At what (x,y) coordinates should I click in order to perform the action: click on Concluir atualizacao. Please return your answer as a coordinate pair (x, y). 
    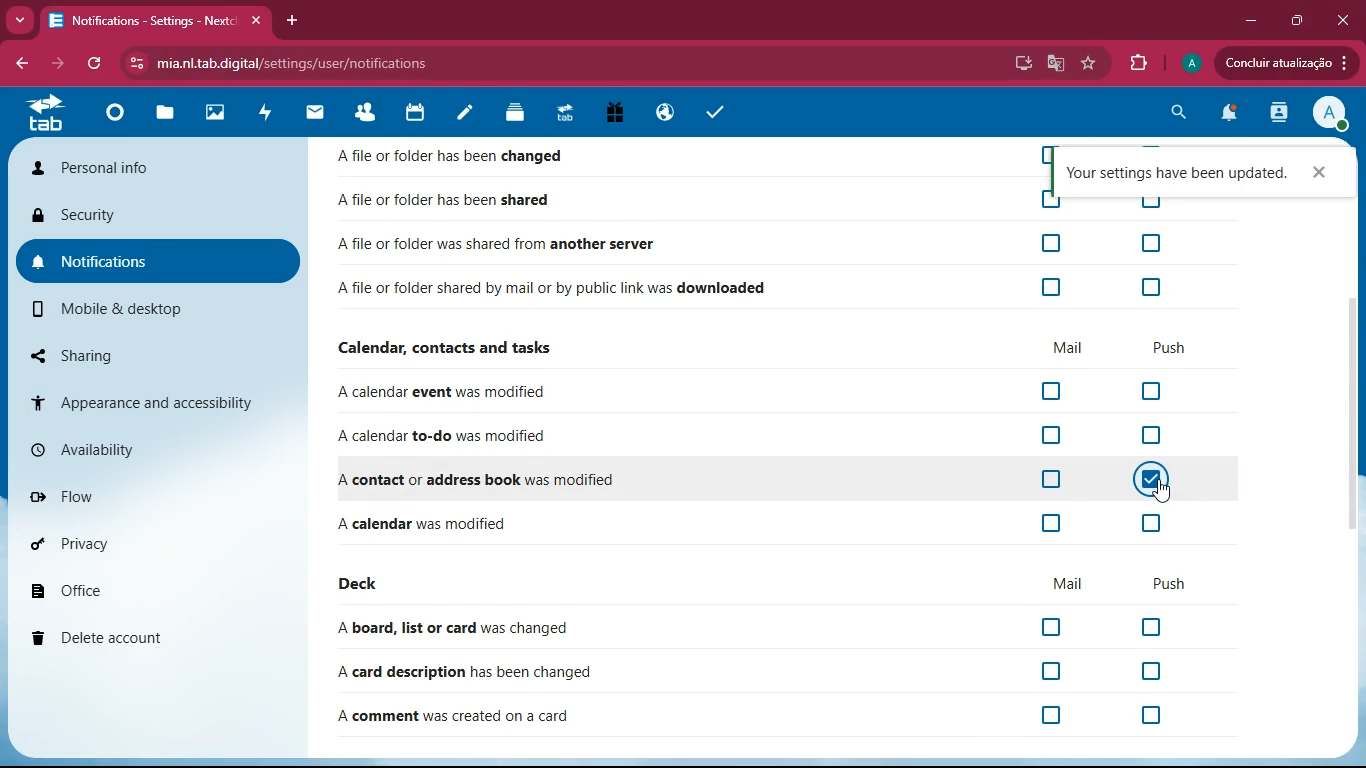
    Looking at the image, I should click on (1286, 62).